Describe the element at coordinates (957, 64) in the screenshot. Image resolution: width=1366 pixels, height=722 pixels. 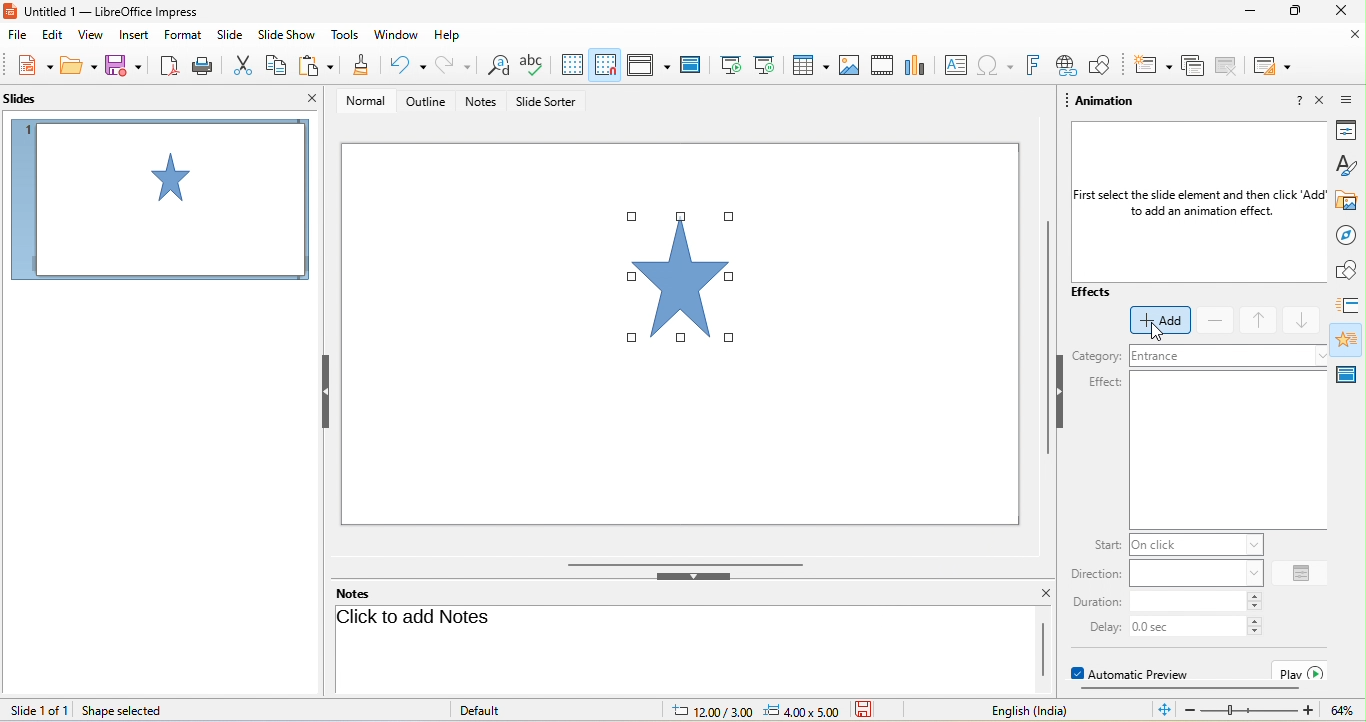
I see `text box` at that location.